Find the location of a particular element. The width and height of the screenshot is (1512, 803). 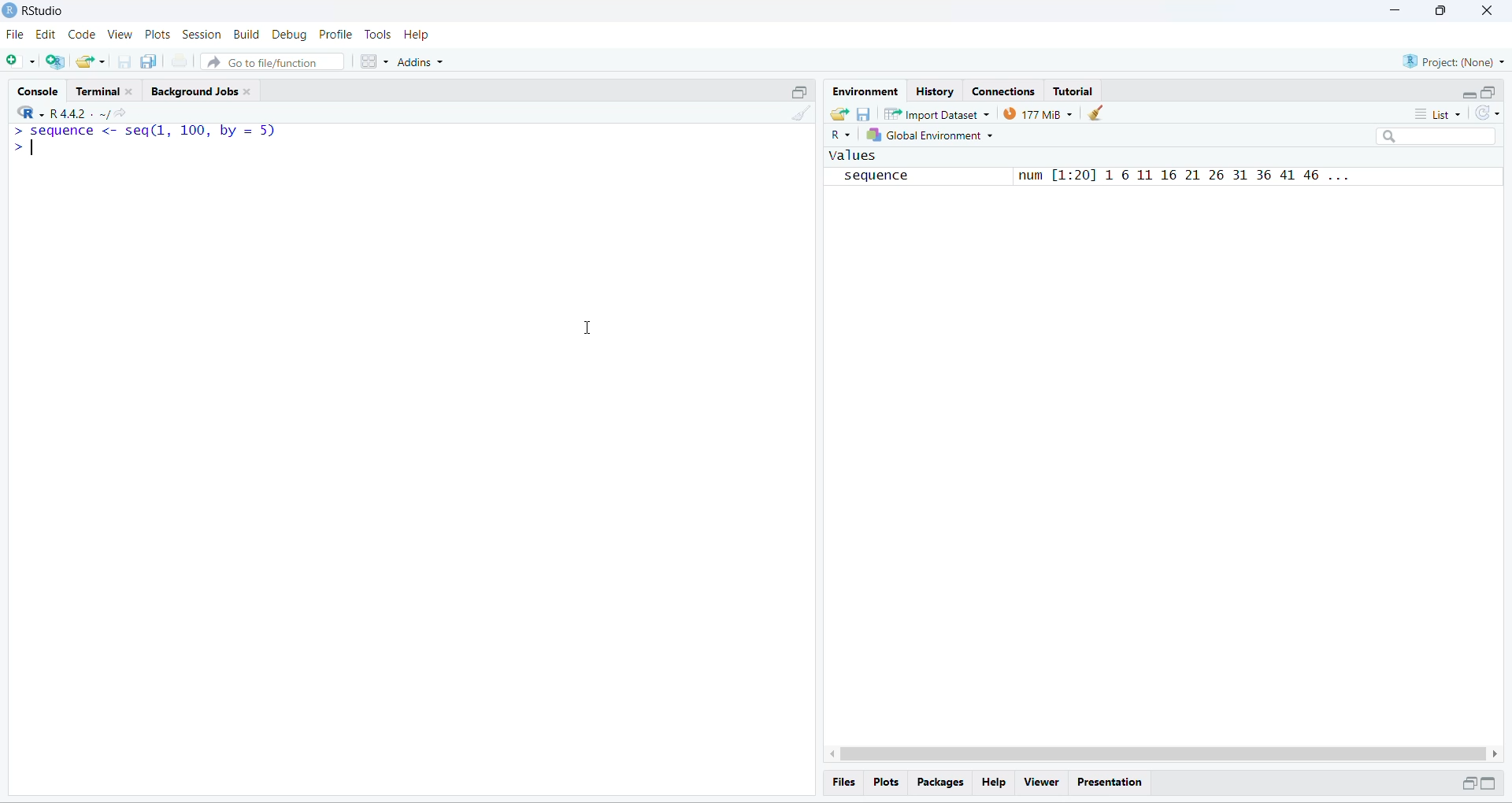

addins is located at coordinates (423, 62).